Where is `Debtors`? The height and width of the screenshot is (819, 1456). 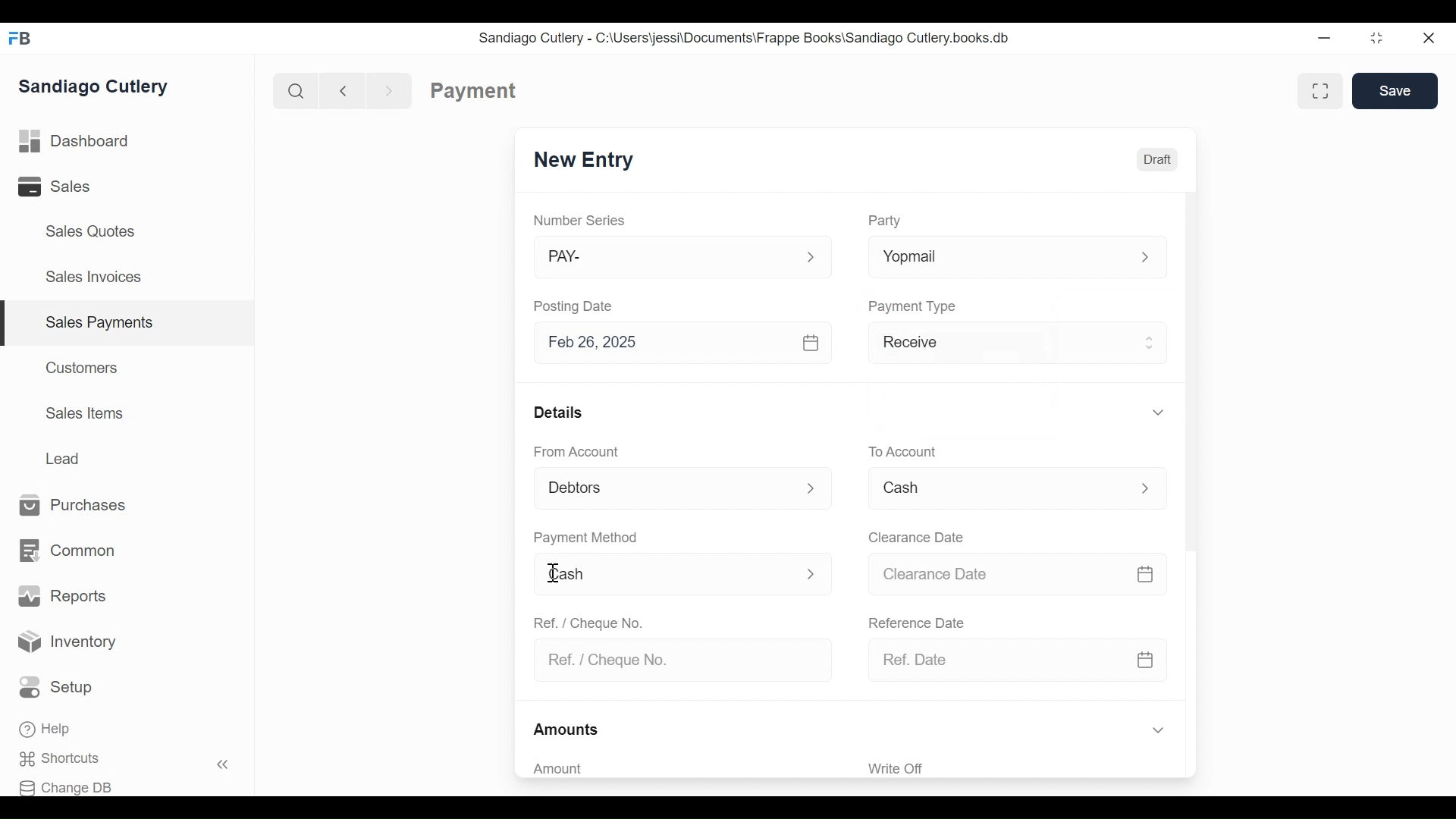
Debtors is located at coordinates (663, 490).